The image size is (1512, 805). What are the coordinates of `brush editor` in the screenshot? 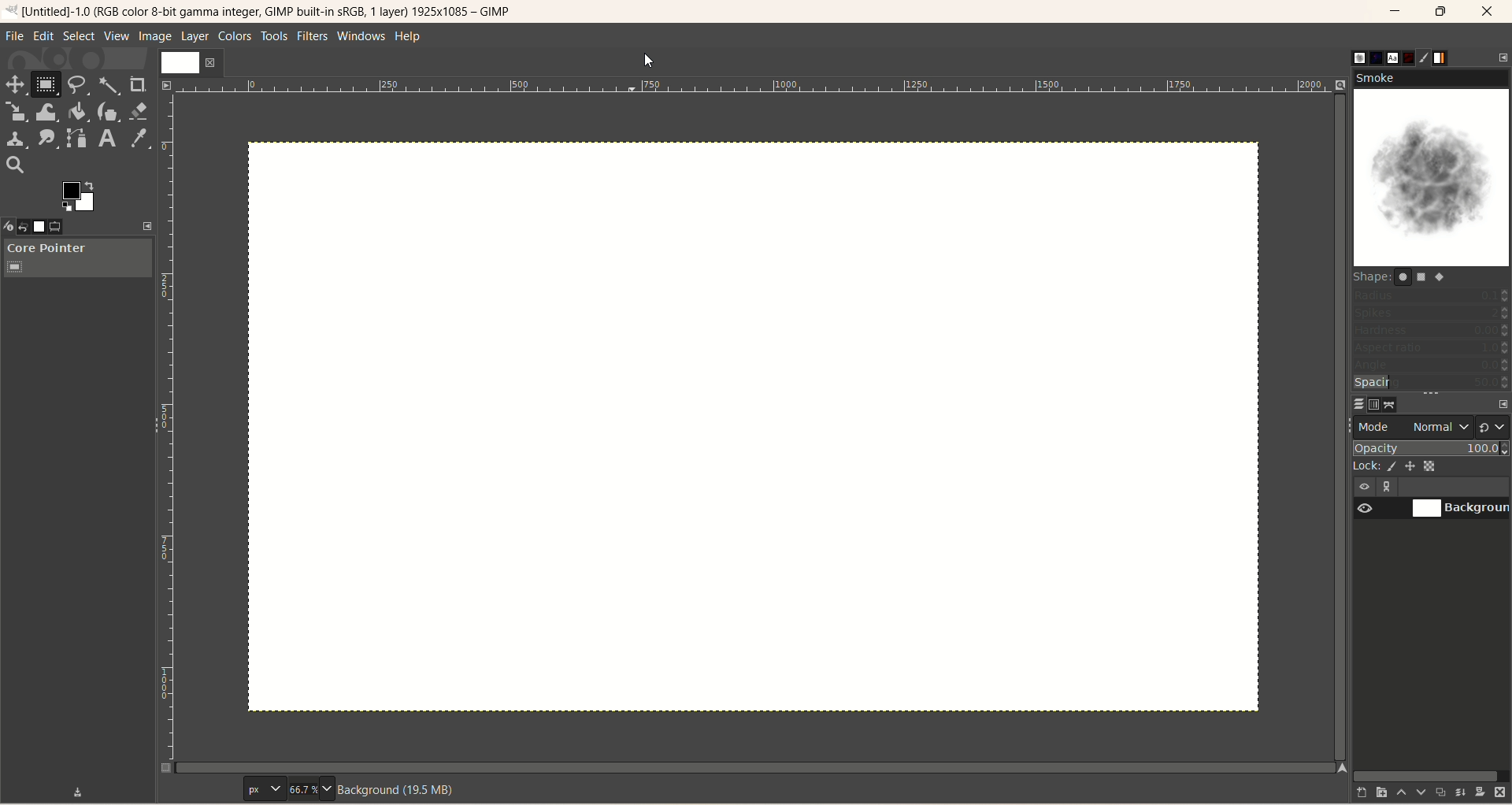 It's located at (1431, 58).